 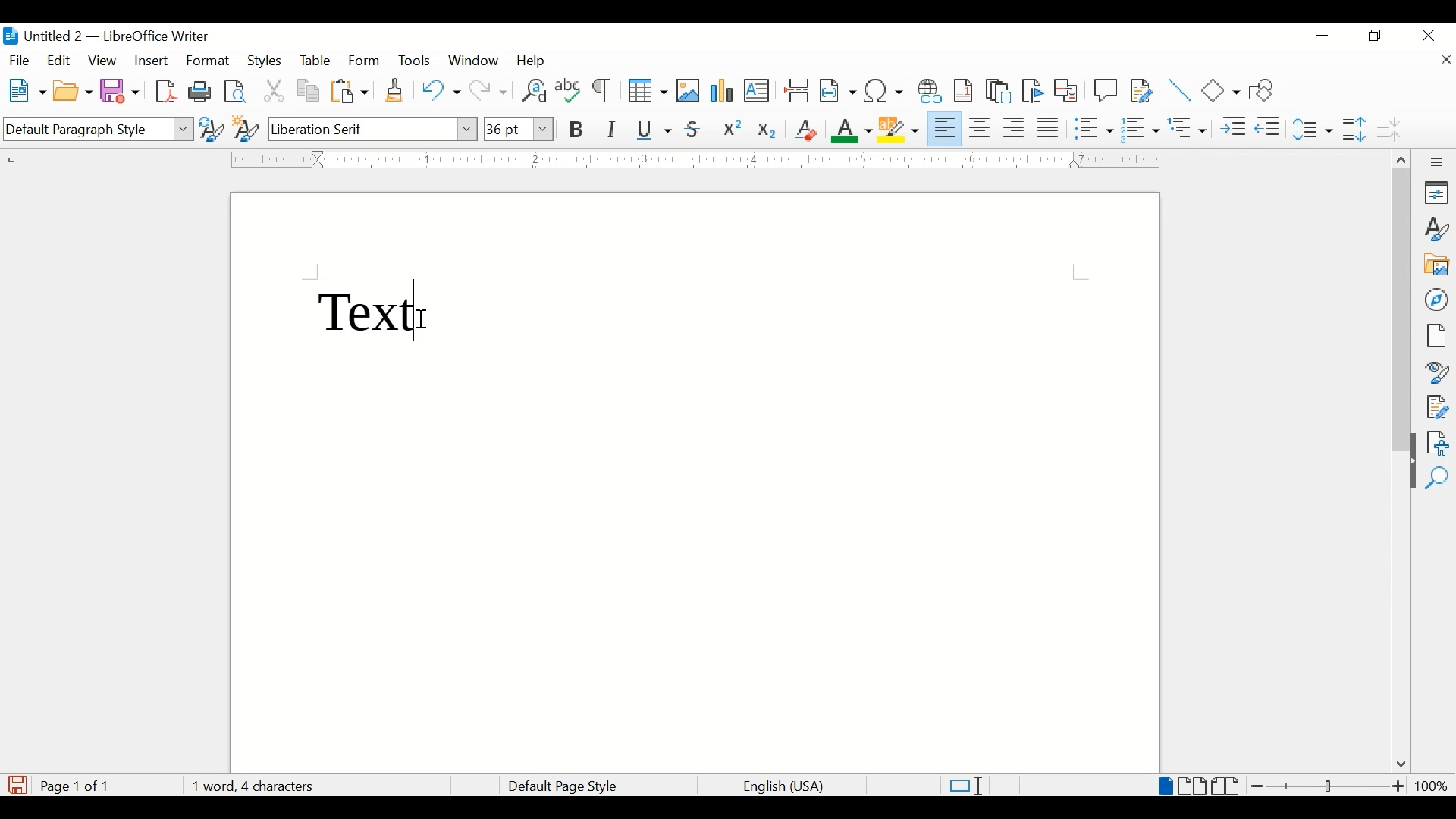 I want to click on page count, so click(x=79, y=786).